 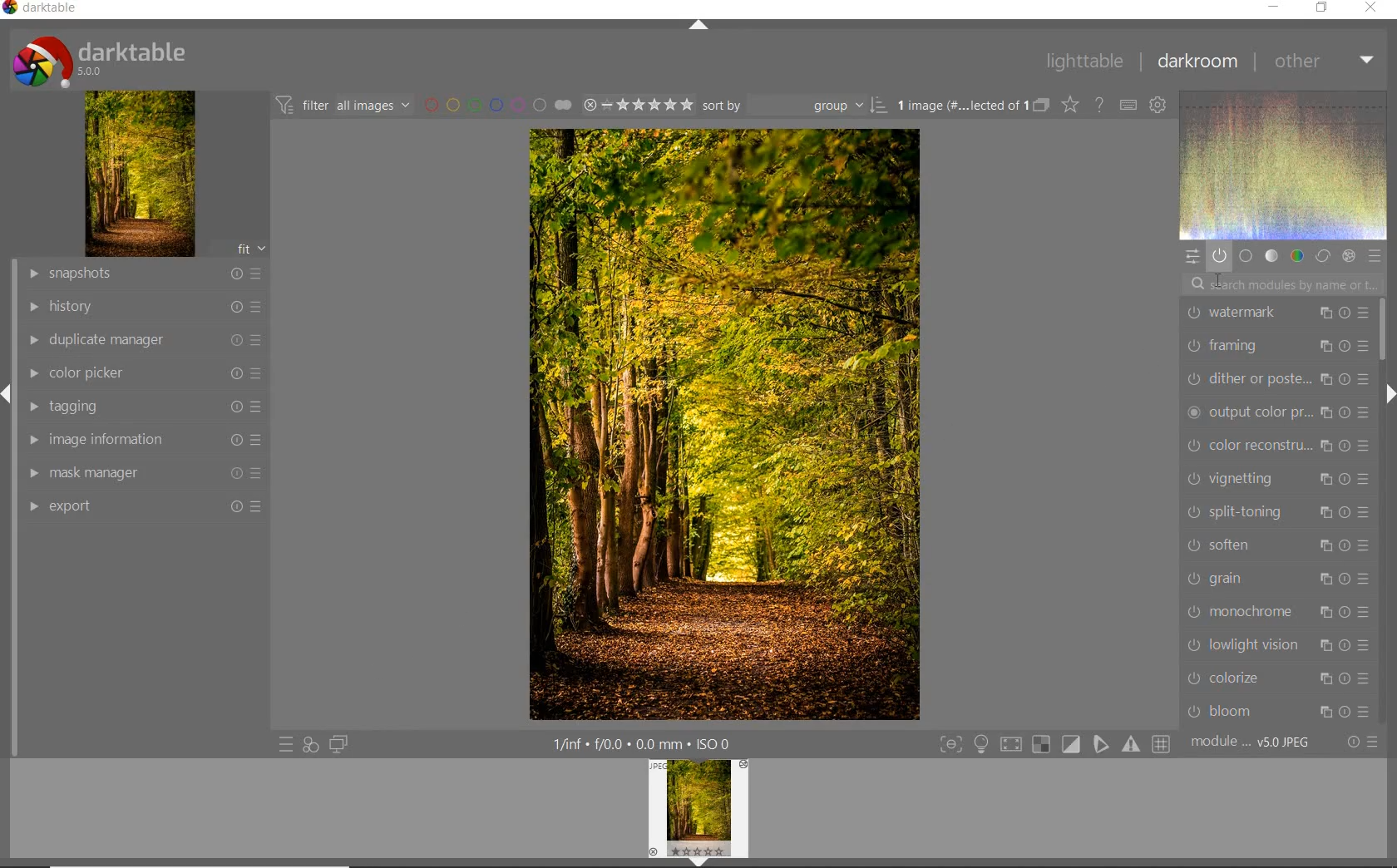 What do you see at coordinates (335, 744) in the screenshot?
I see `display a second darkroom image window` at bounding box center [335, 744].